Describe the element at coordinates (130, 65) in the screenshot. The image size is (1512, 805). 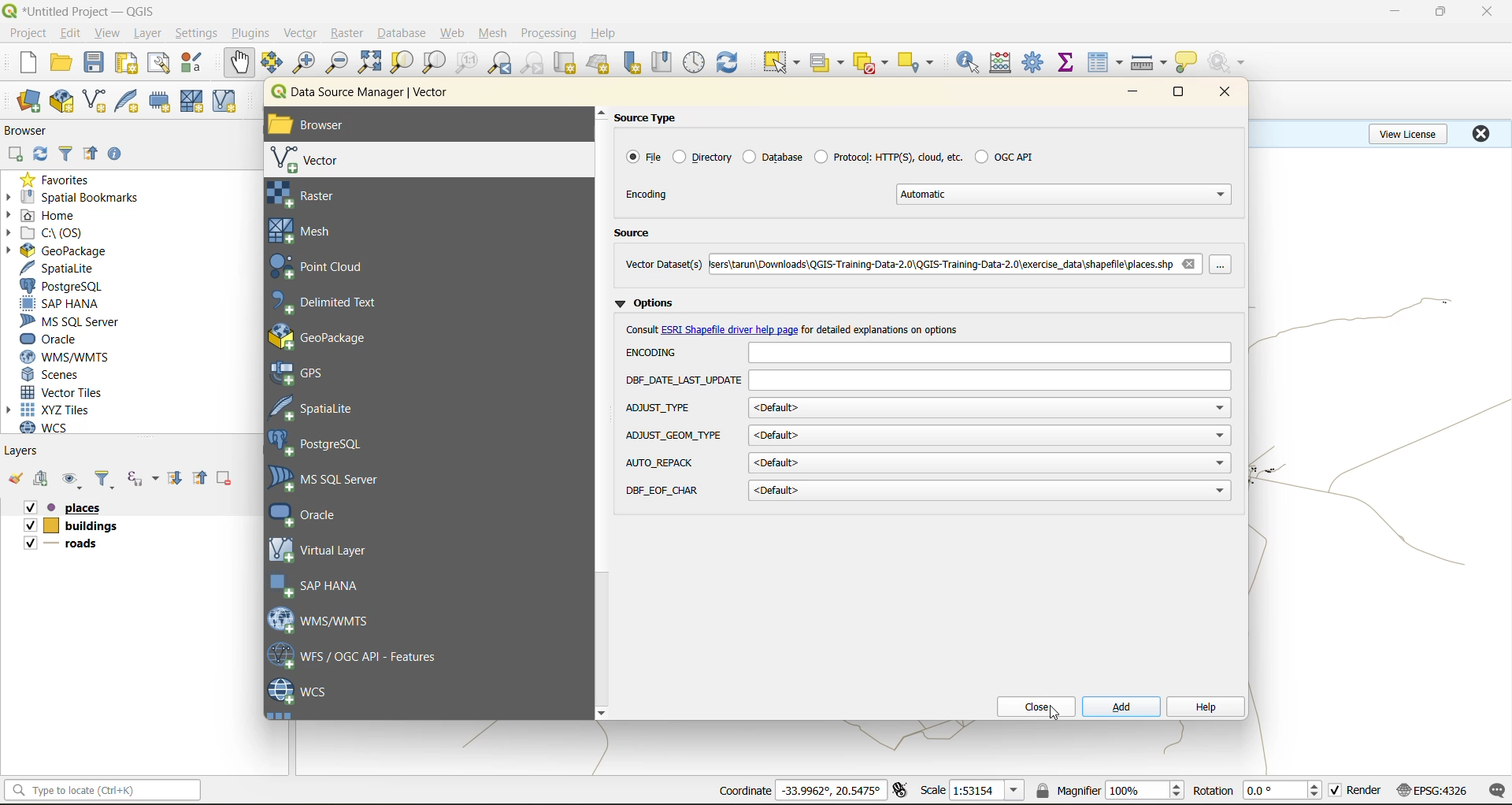
I see `print layout` at that location.